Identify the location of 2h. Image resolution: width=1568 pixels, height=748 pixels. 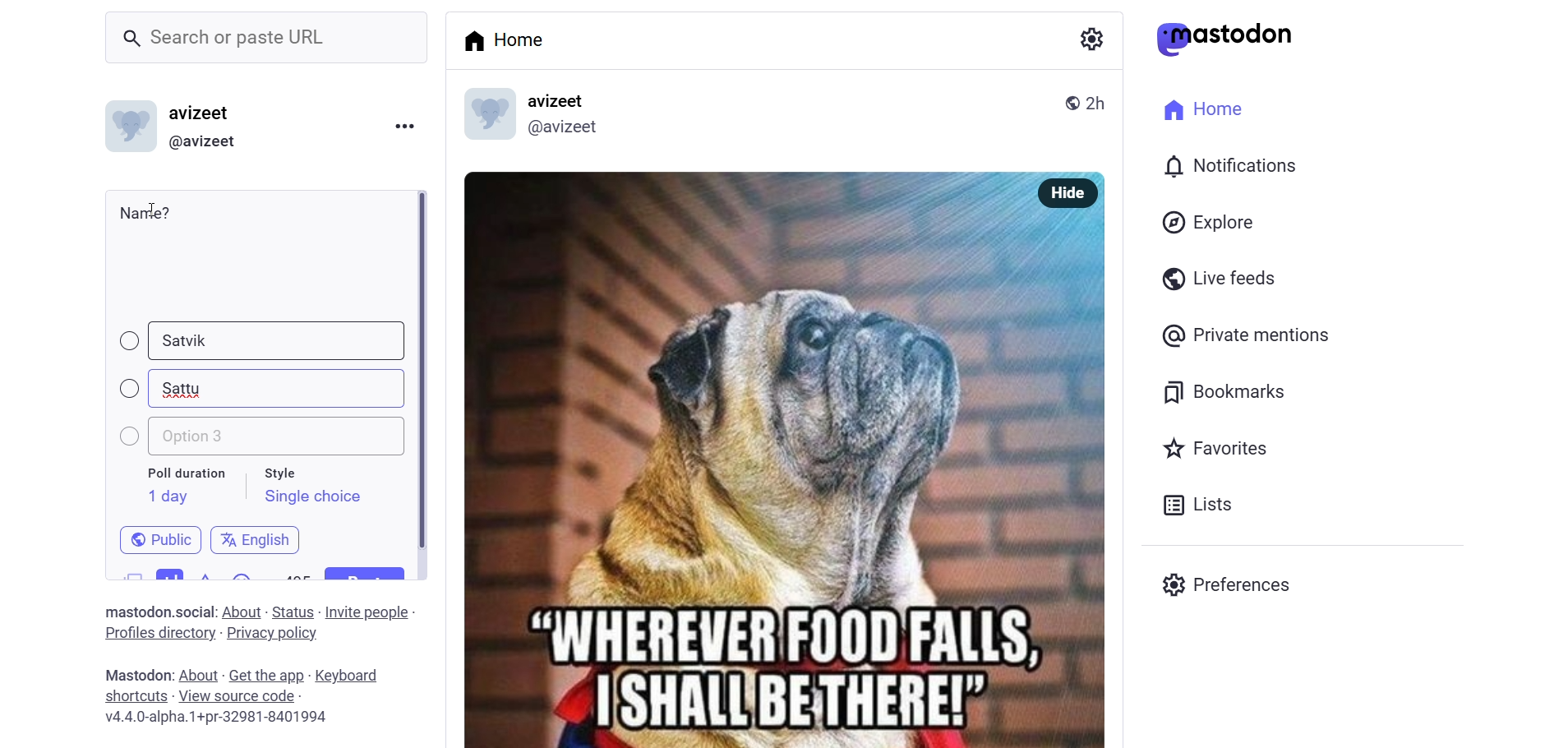
(1102, 95).